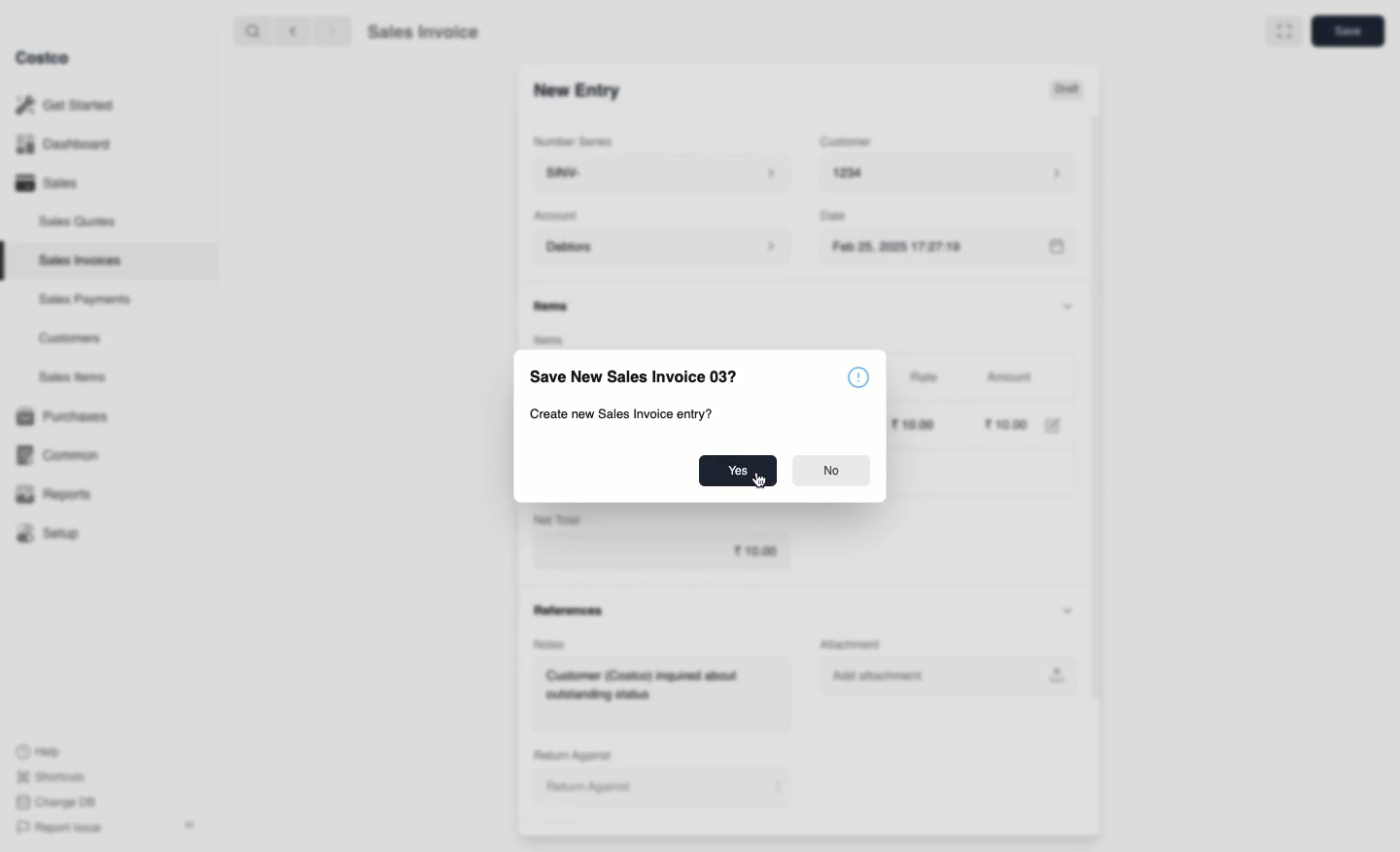  Describe the element at coordinates (42, 751) in the screenshot. I see `Help` at that location.